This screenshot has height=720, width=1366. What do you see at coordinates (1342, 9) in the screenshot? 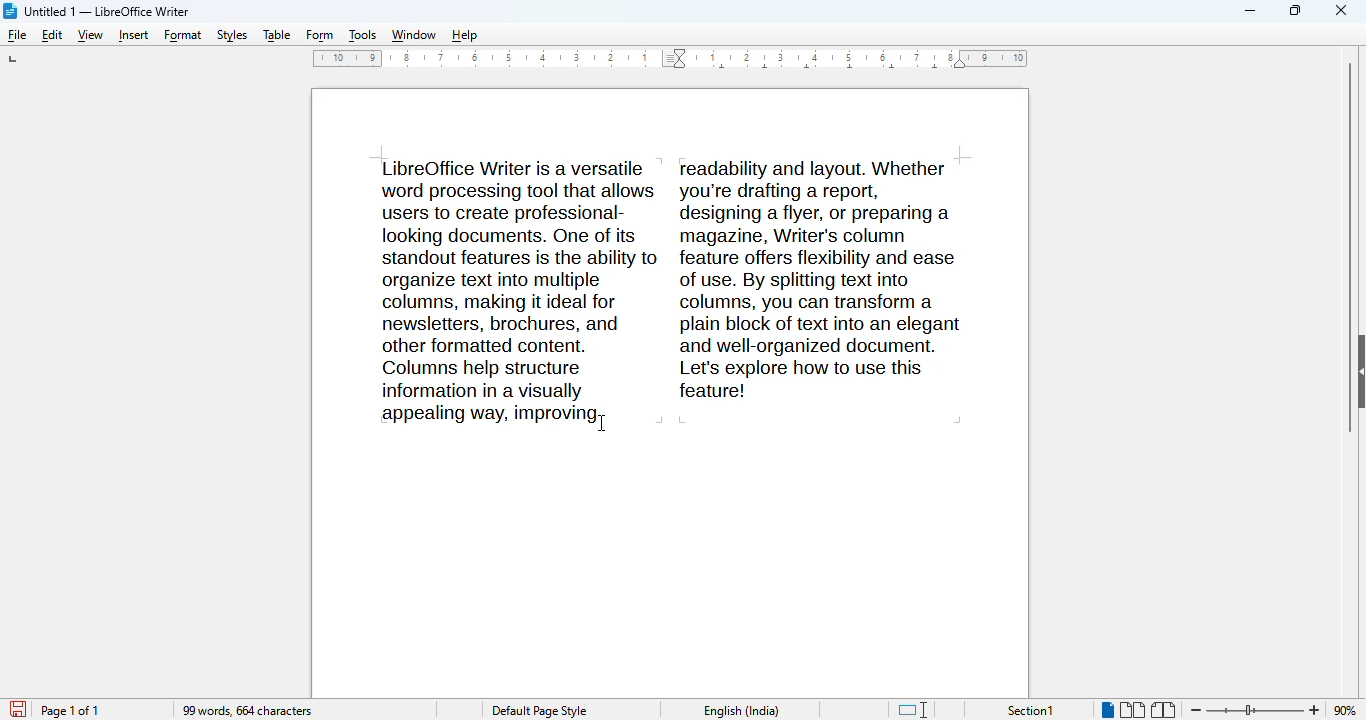
I see `close` at bounding box center [1342, 9].